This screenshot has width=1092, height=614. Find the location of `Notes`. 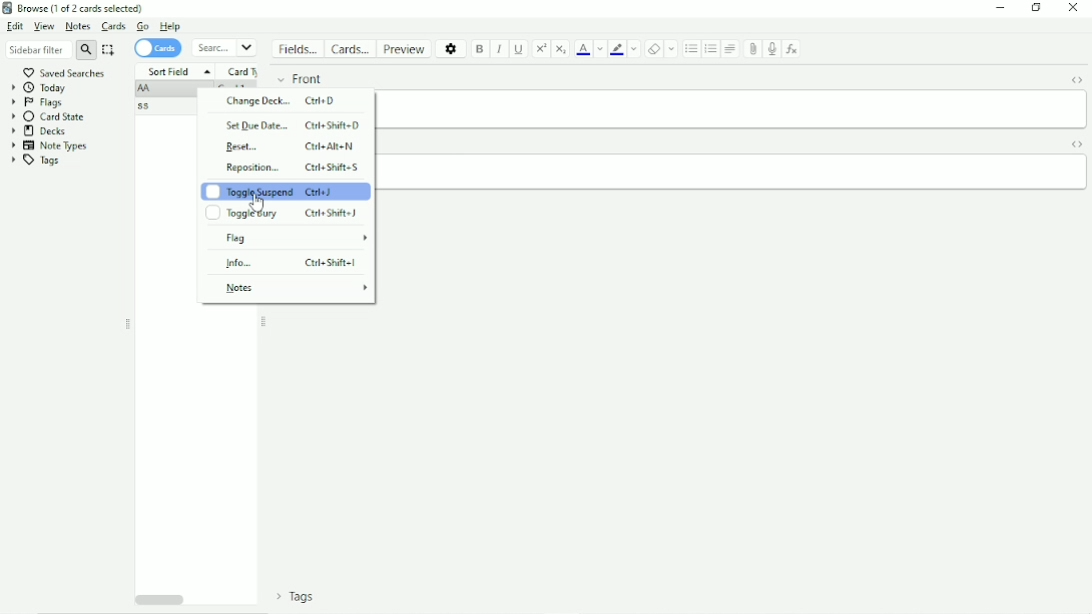

Notes is located at coordinates (296, 289).